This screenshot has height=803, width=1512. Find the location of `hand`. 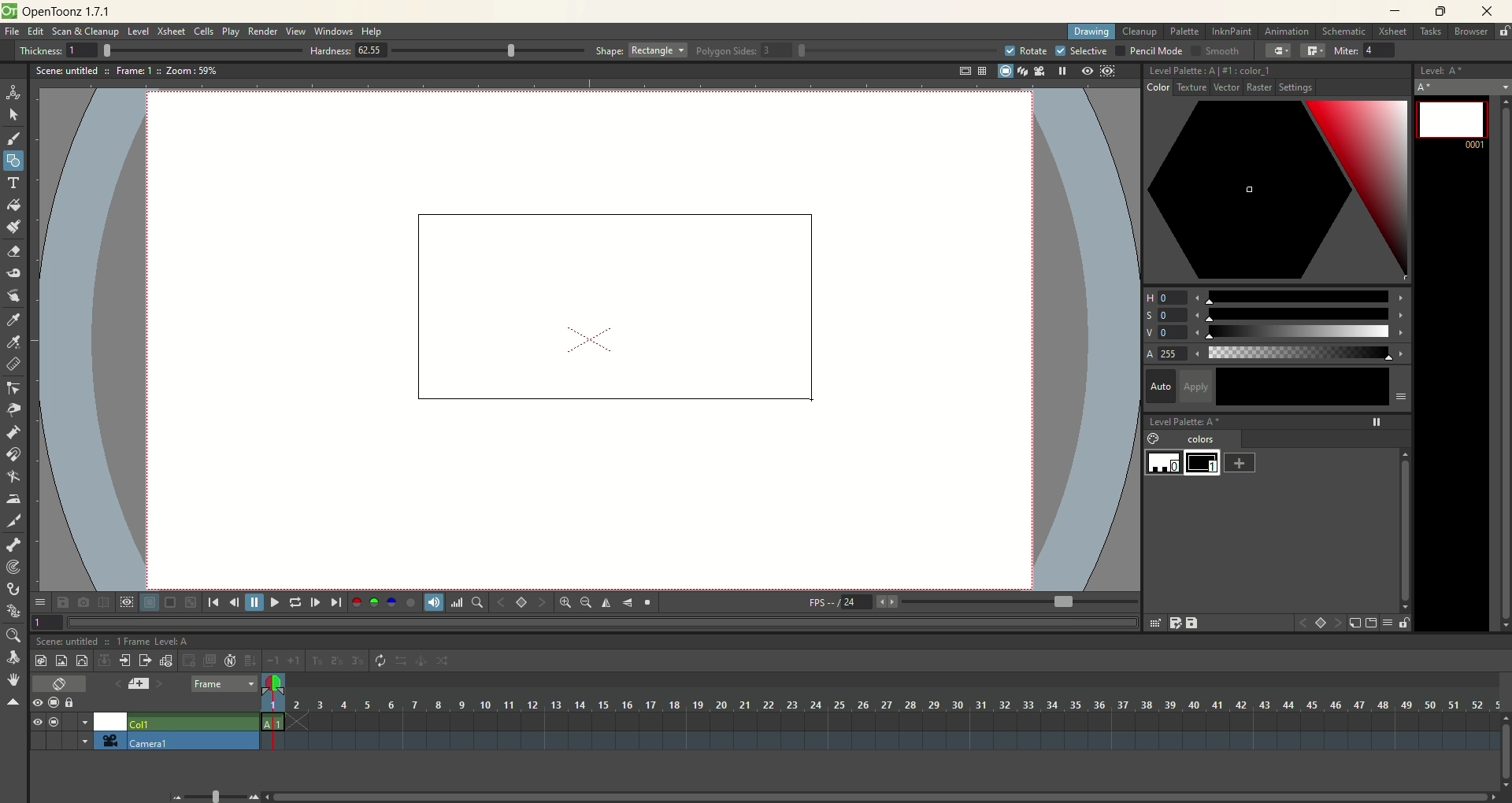

hand is located at coordinates (13, 679).